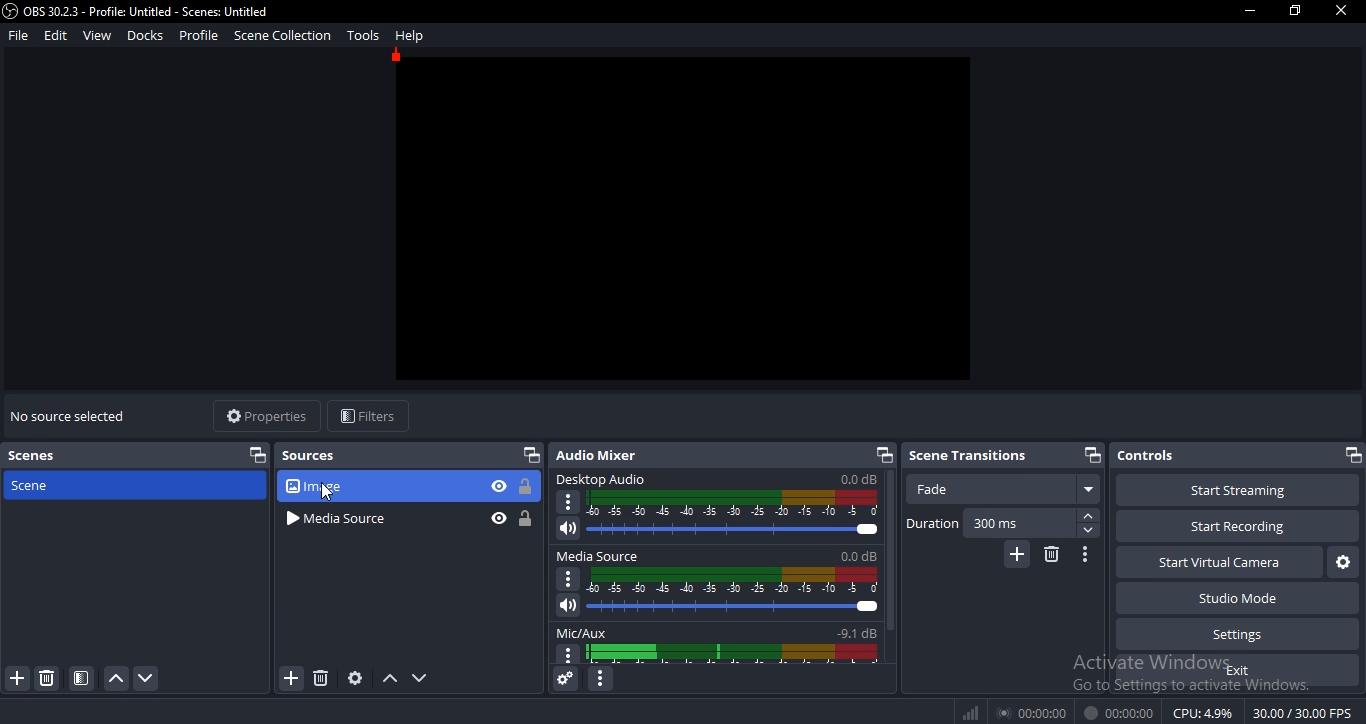  I want to click on remove sources, so click(319, 678).